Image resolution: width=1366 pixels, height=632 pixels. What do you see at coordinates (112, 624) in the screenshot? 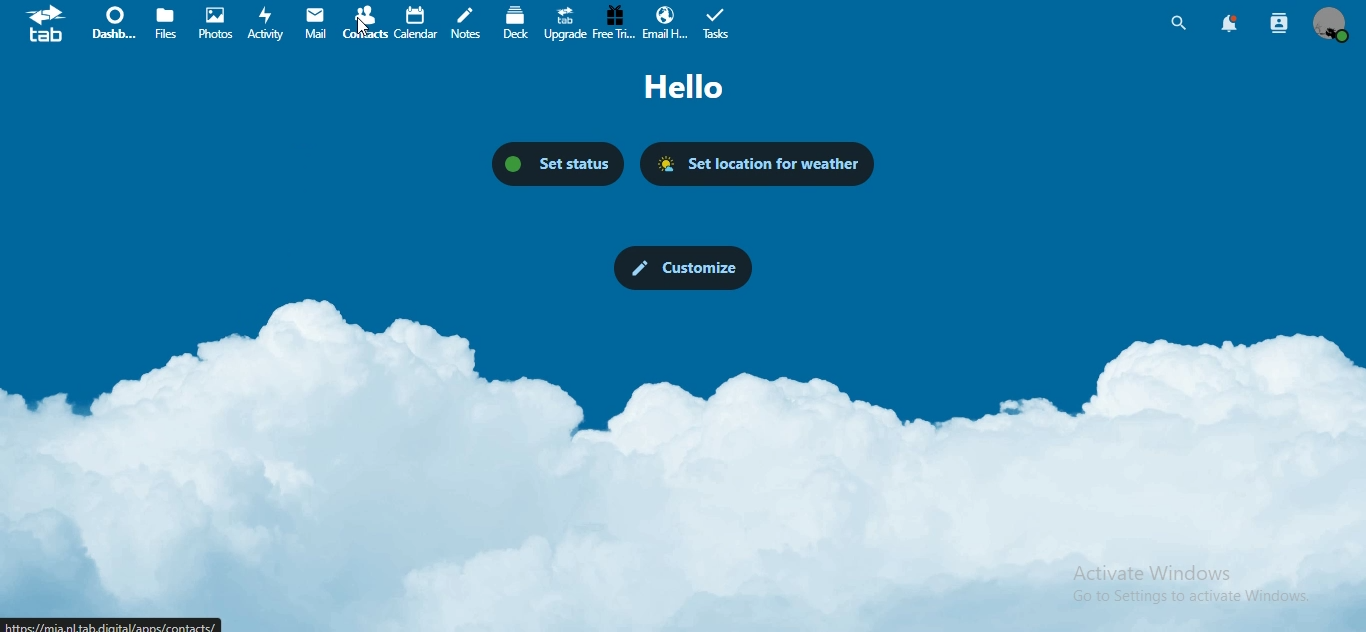
I see `https://mia.nl.tab.digital/apps/contacts/` at bounding box center [112, 624].